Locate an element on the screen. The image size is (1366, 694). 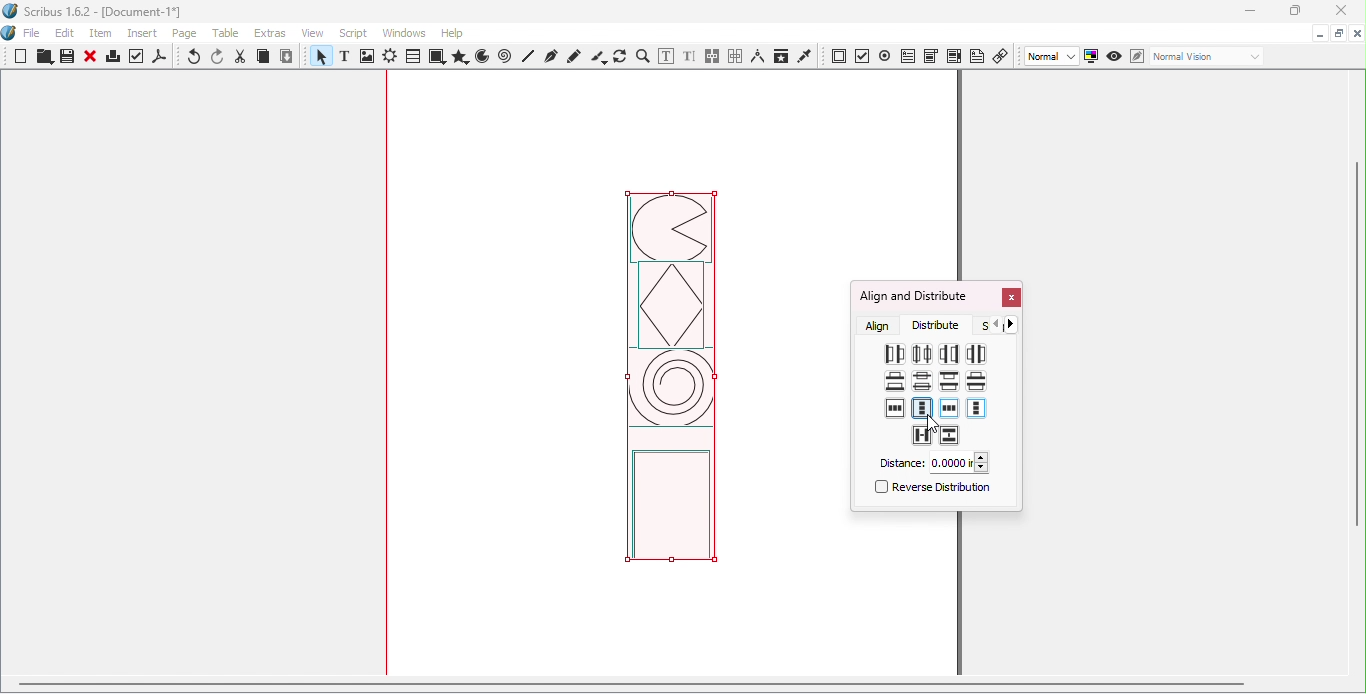
Redo is located at coordinates (219, 57).